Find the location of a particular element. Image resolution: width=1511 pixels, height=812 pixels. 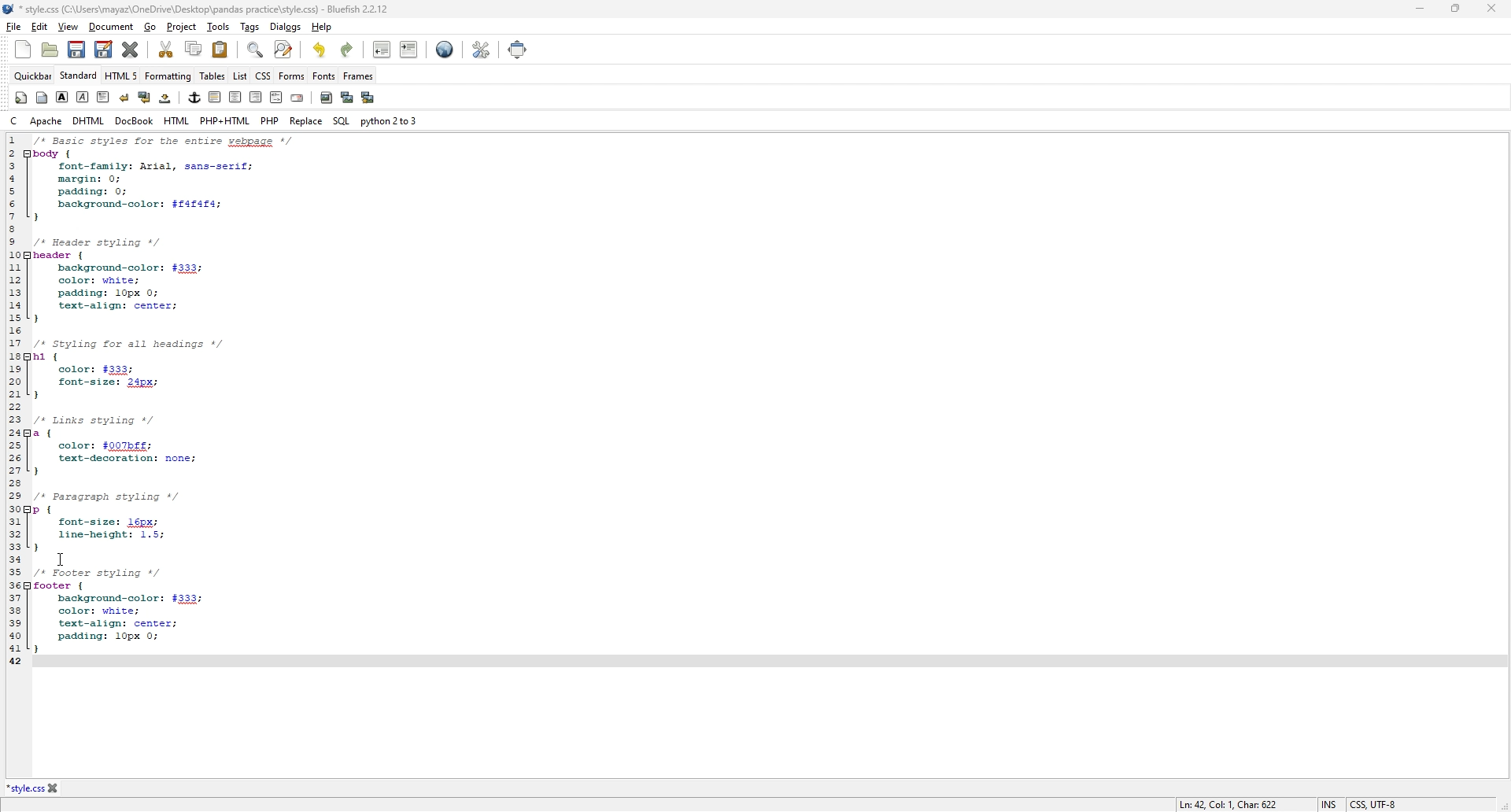

close is located at coordinates (1490, 8).